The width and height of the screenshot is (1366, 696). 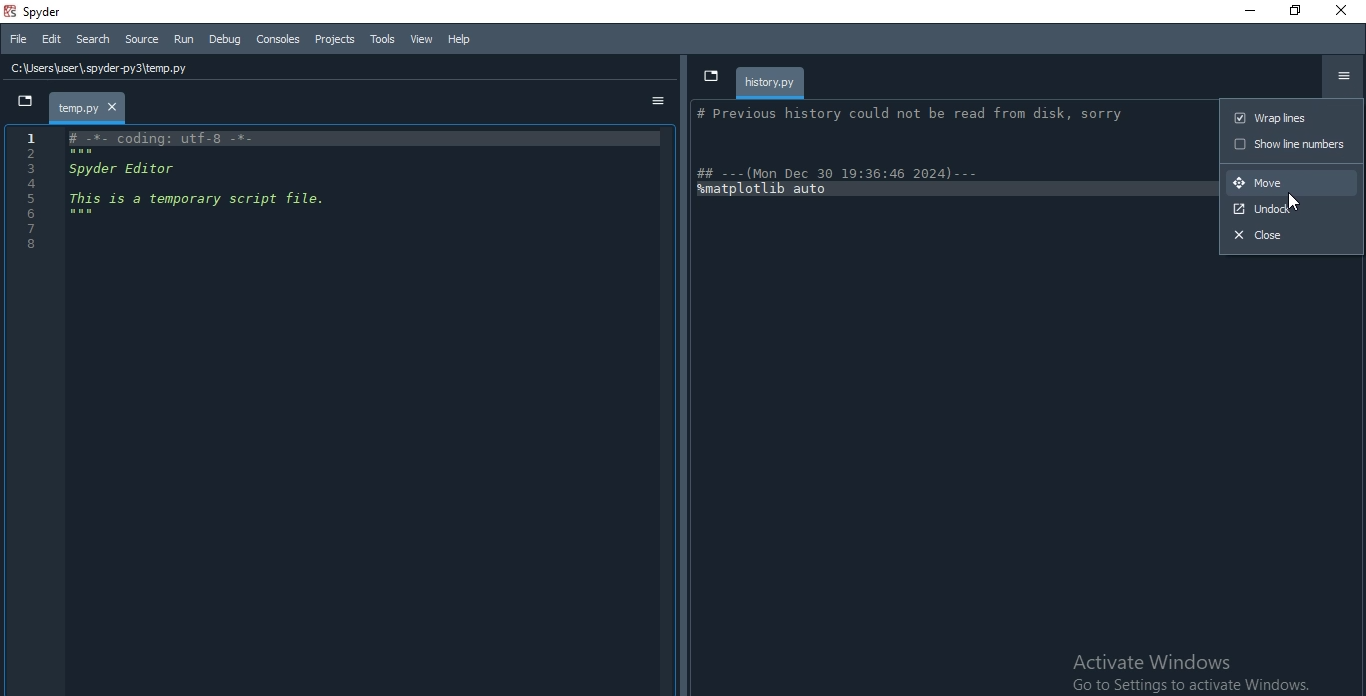 I want to click on IDE, so click(x=341, y=411).